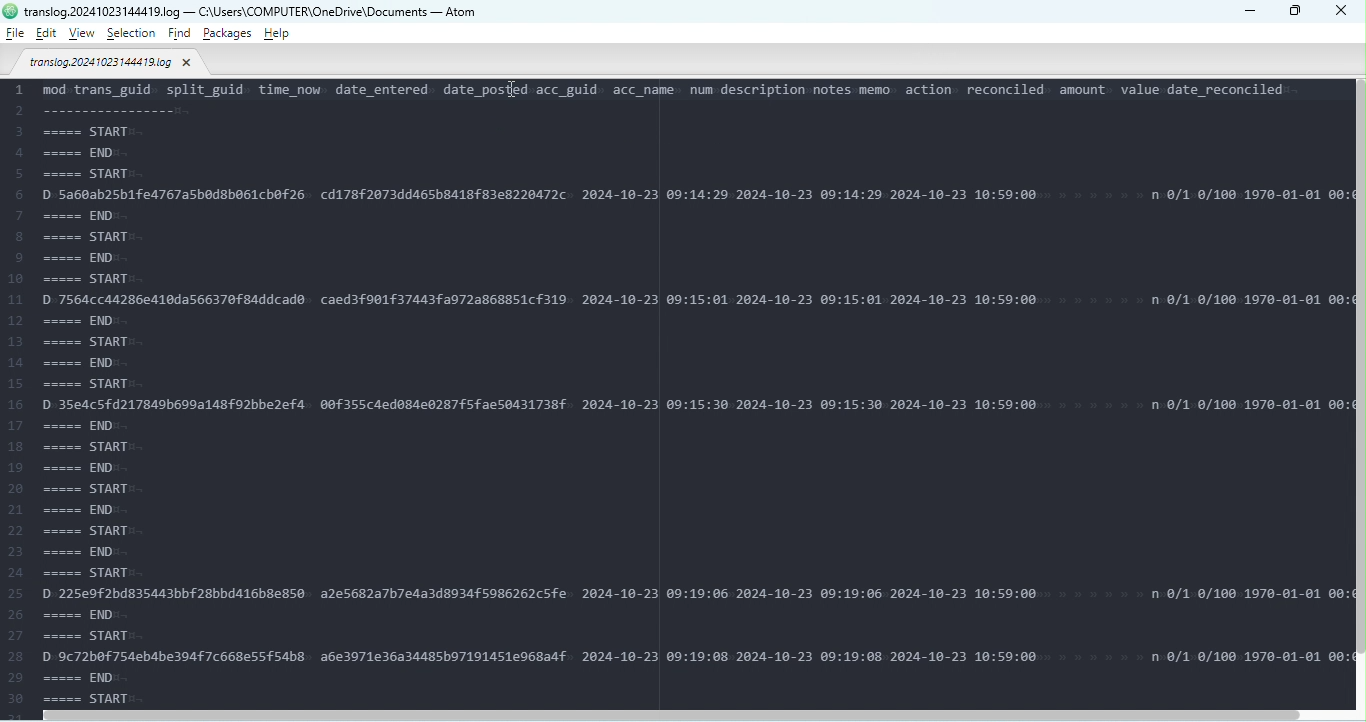  What do you see at coordinates (1296, 12) in the screenshot?
I see `Maximize` at bounding box center [1296, 12].